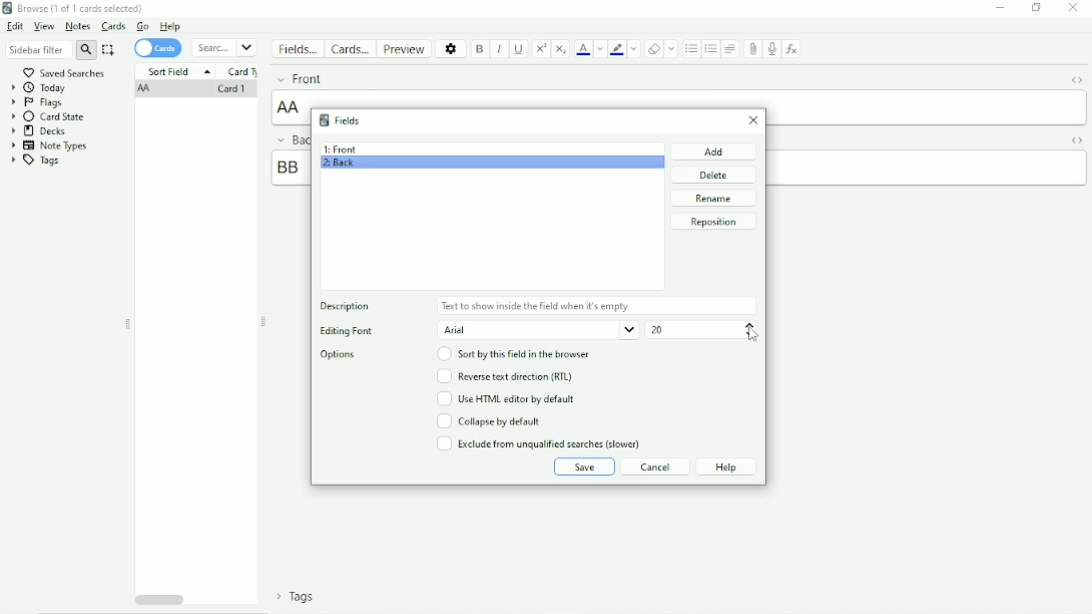 Image resolution: width=1092 pixels, height=614 pixels. What do you see at coordinates (656, 467) in the screenshot?
I see `Cancel` at bounding box center [656, 467].